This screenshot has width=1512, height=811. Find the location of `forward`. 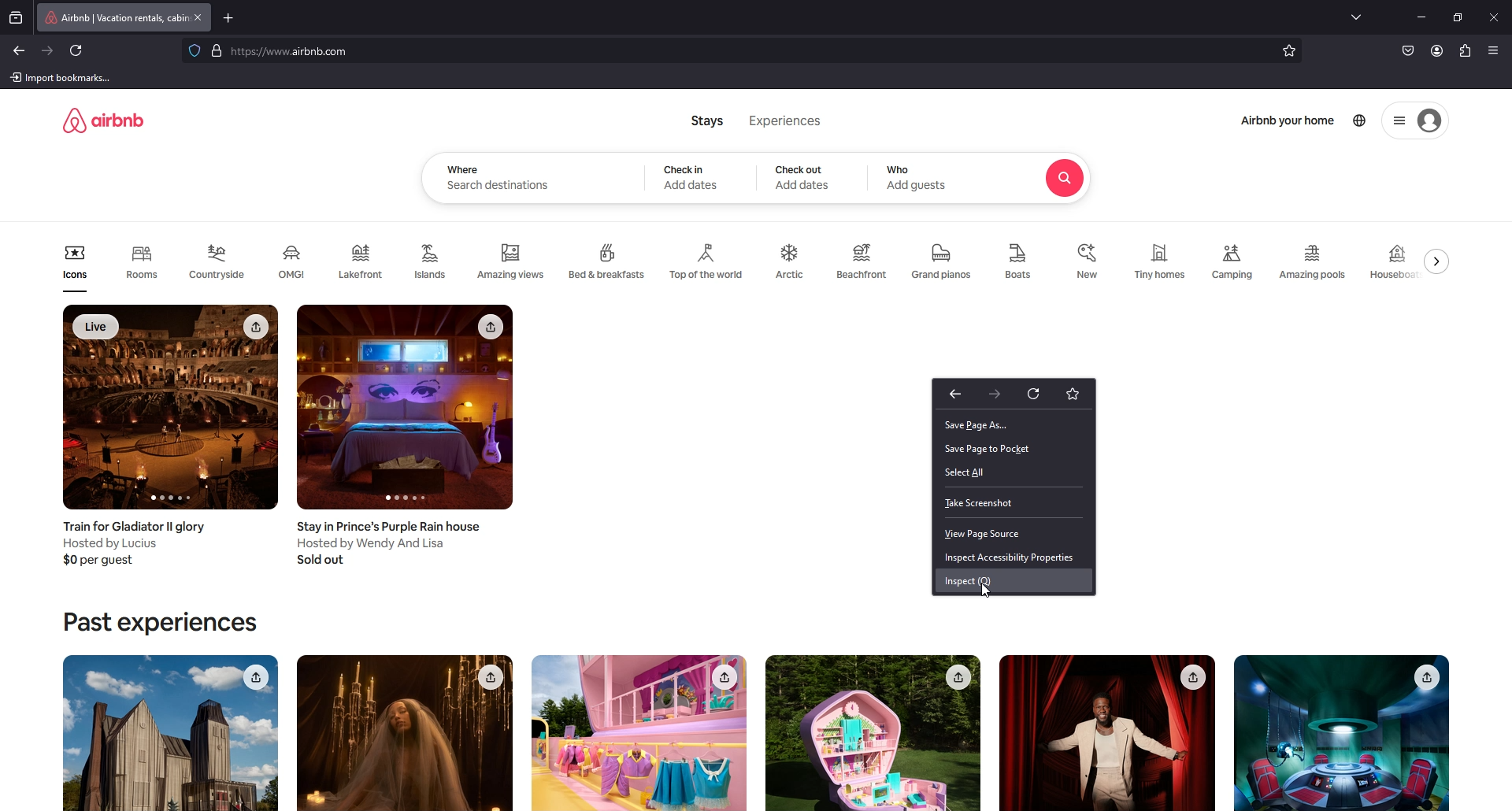

forward is located at coordinates (998, 394).